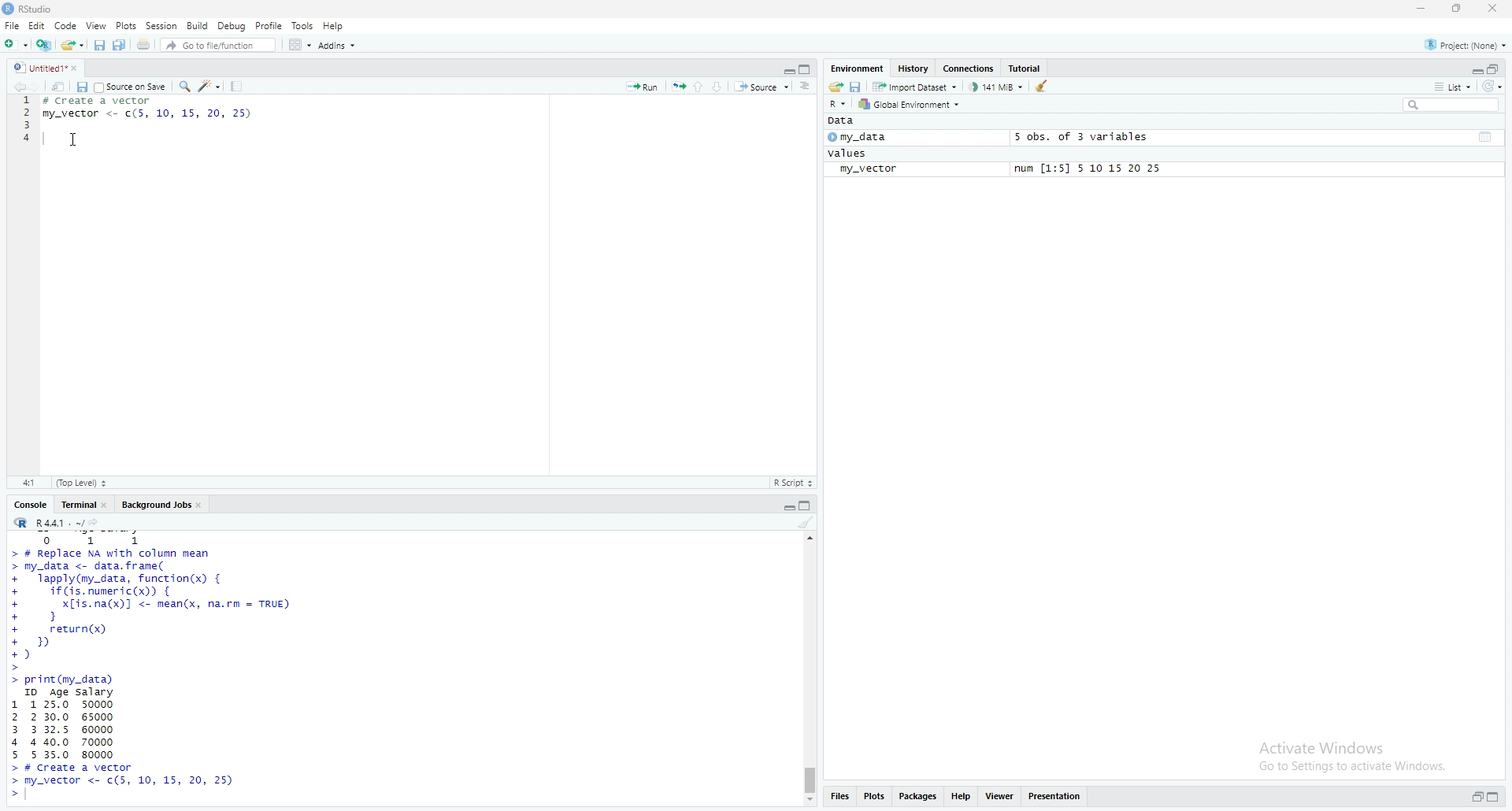  I want to click on expand, so click(788, 507).